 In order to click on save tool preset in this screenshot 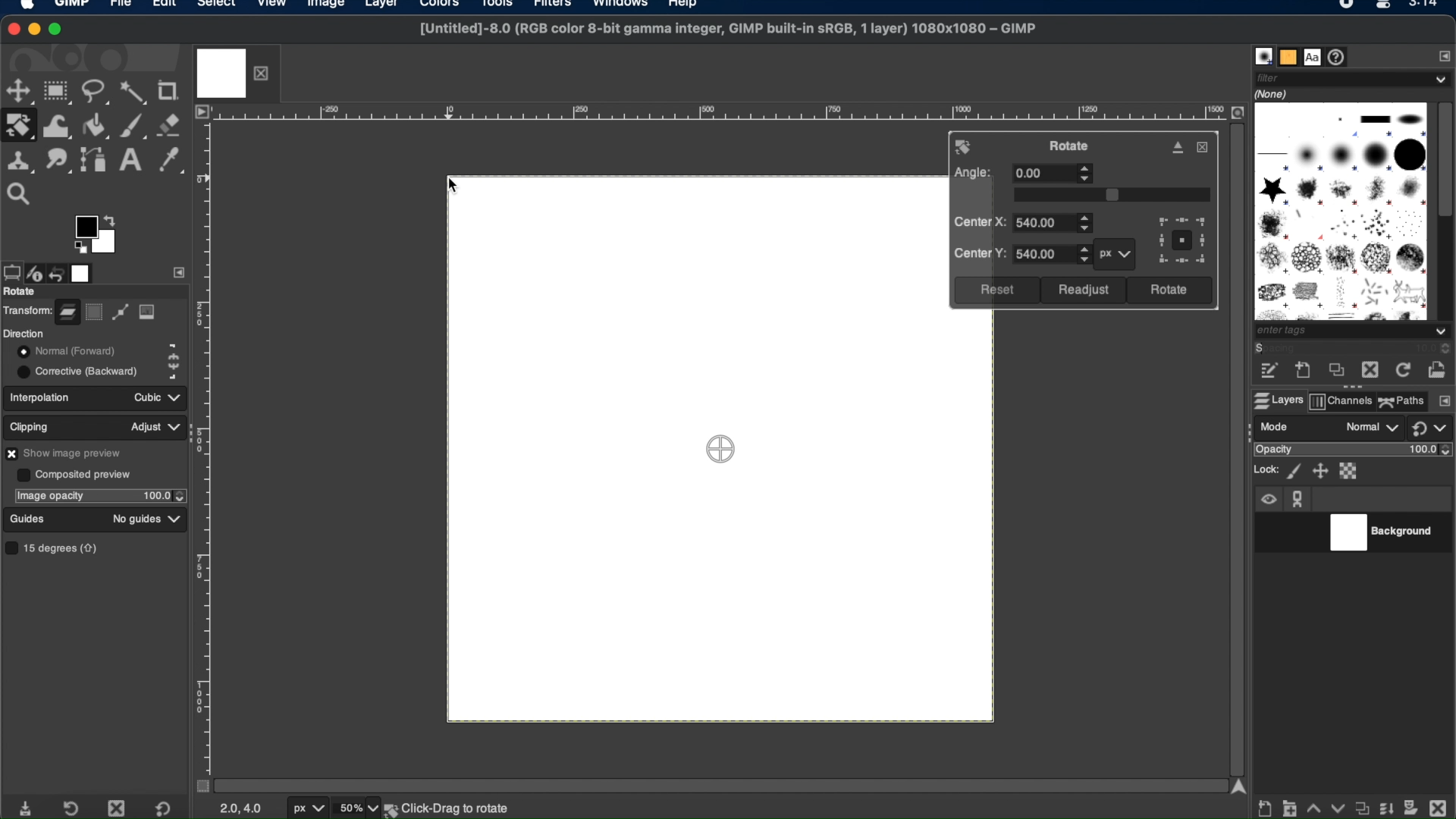, I will do `click(28, 807)`.